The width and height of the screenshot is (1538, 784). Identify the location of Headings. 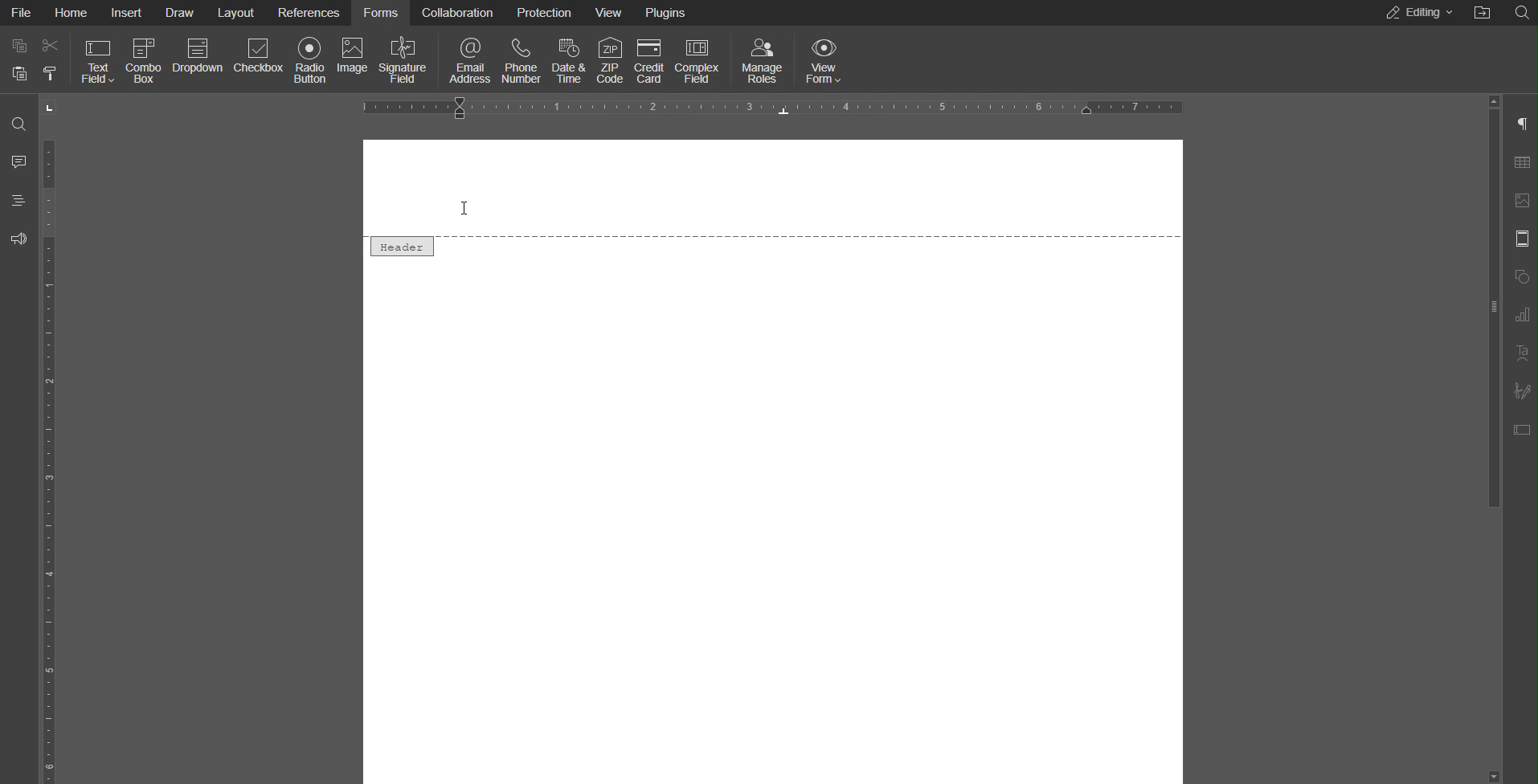
(18, 201).